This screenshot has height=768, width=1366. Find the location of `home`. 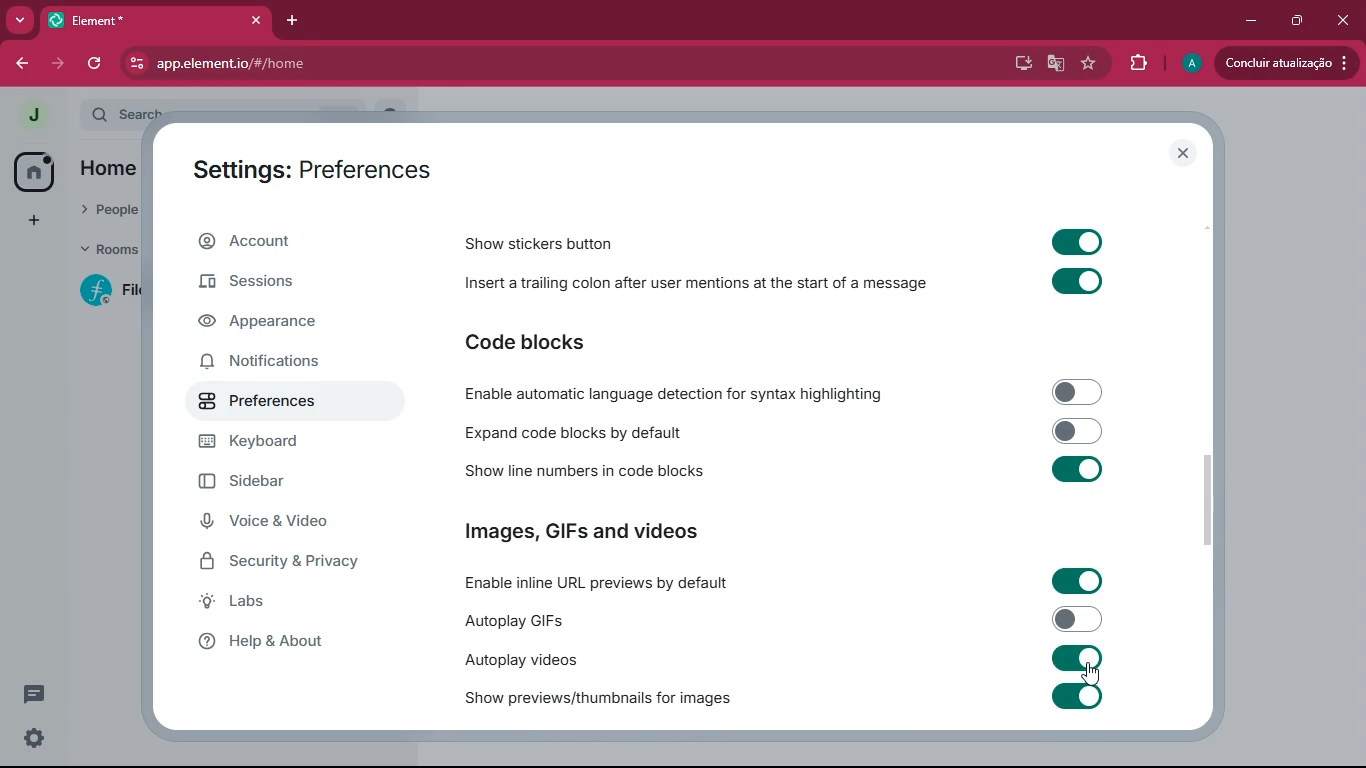

home is located at coordinates (107, 171).